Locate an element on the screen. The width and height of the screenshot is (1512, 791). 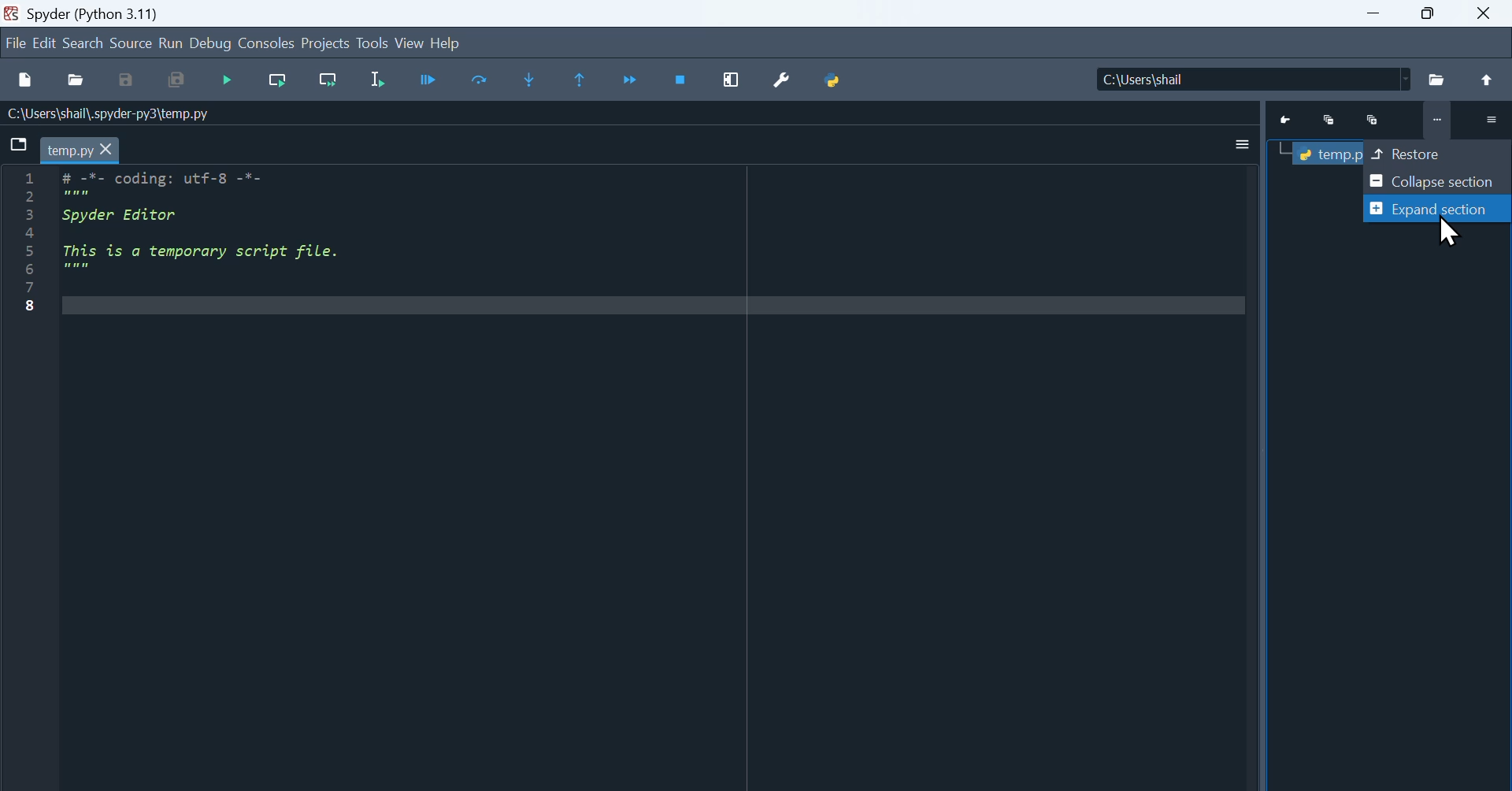
Go to is located at coordinates (1289, 121).